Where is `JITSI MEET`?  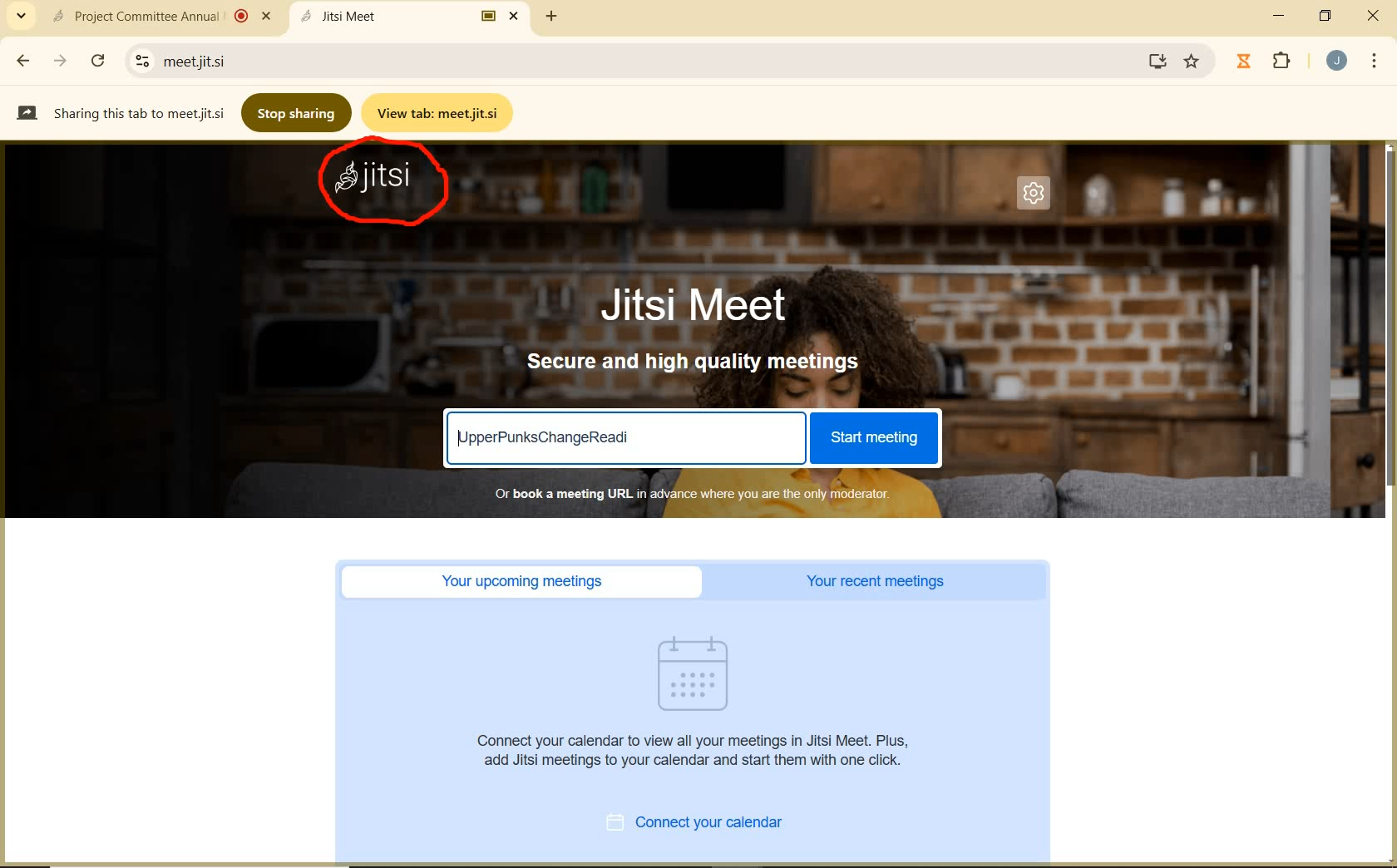
JITSI MEET is located at coordinates (708, 303).